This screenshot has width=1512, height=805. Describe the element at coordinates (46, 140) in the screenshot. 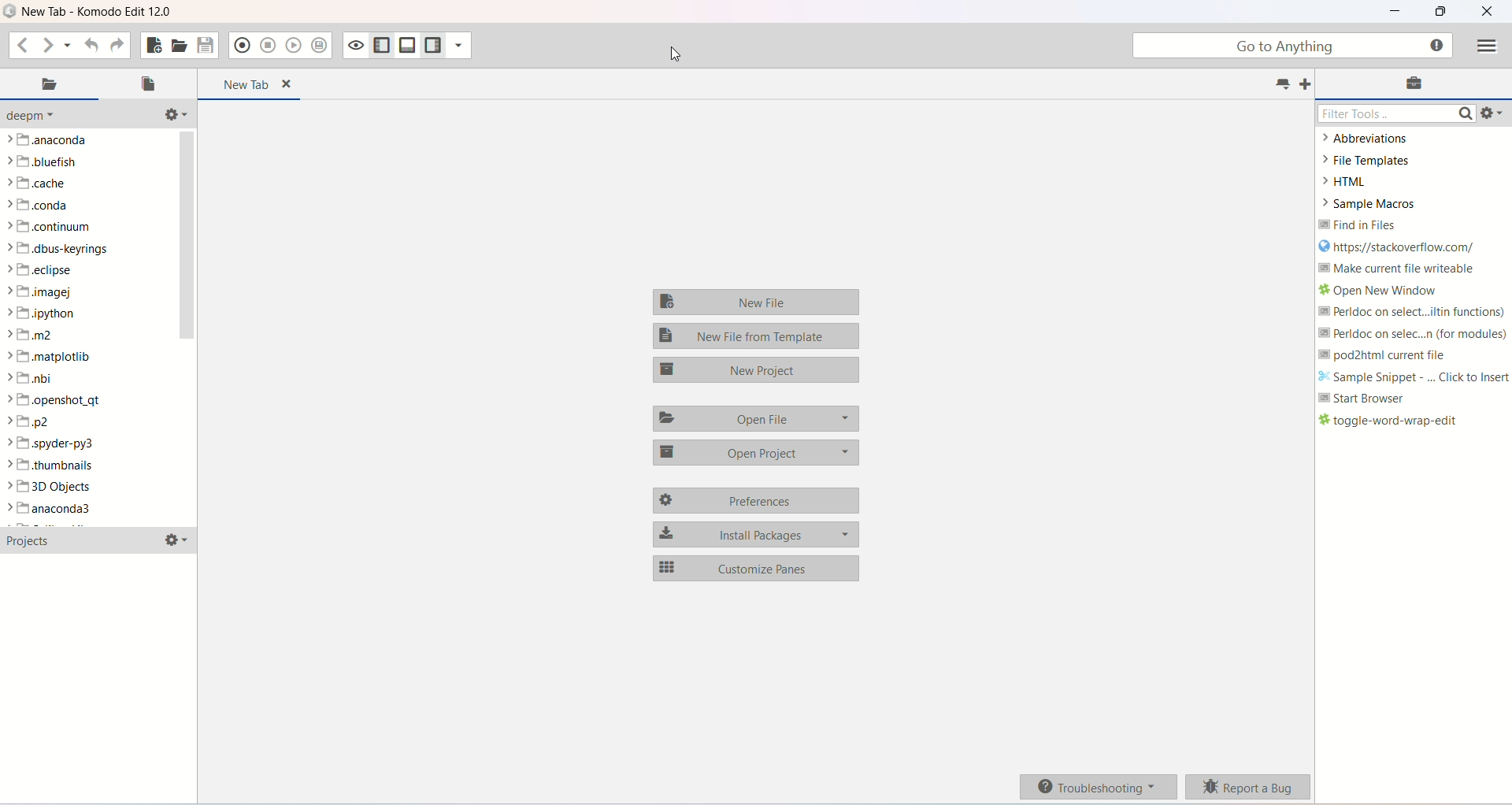

I see `anaconda` at that location.